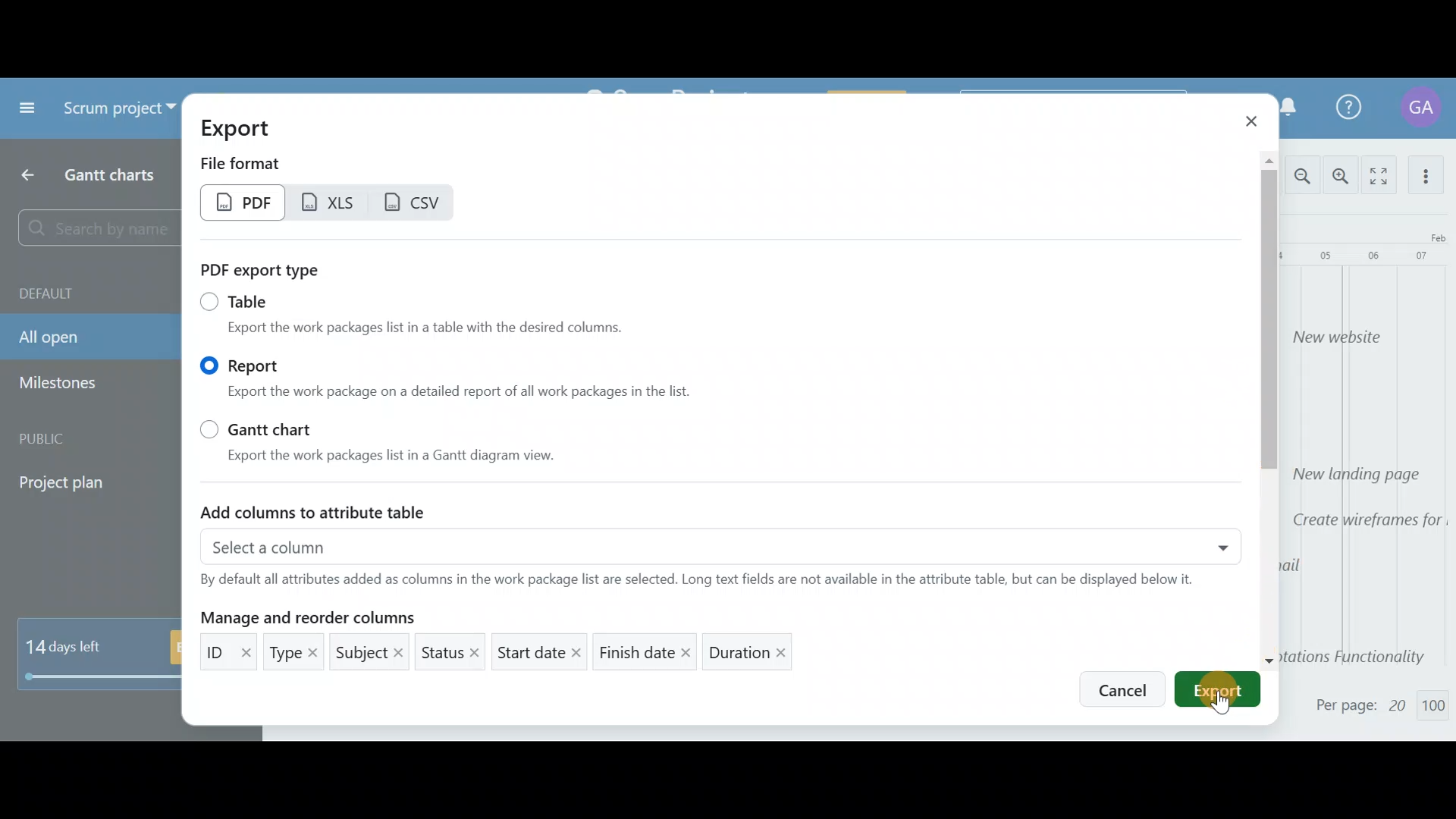  Describe the element at coordinates (538, 653) in the screenshot. I see `Start date` at that location.